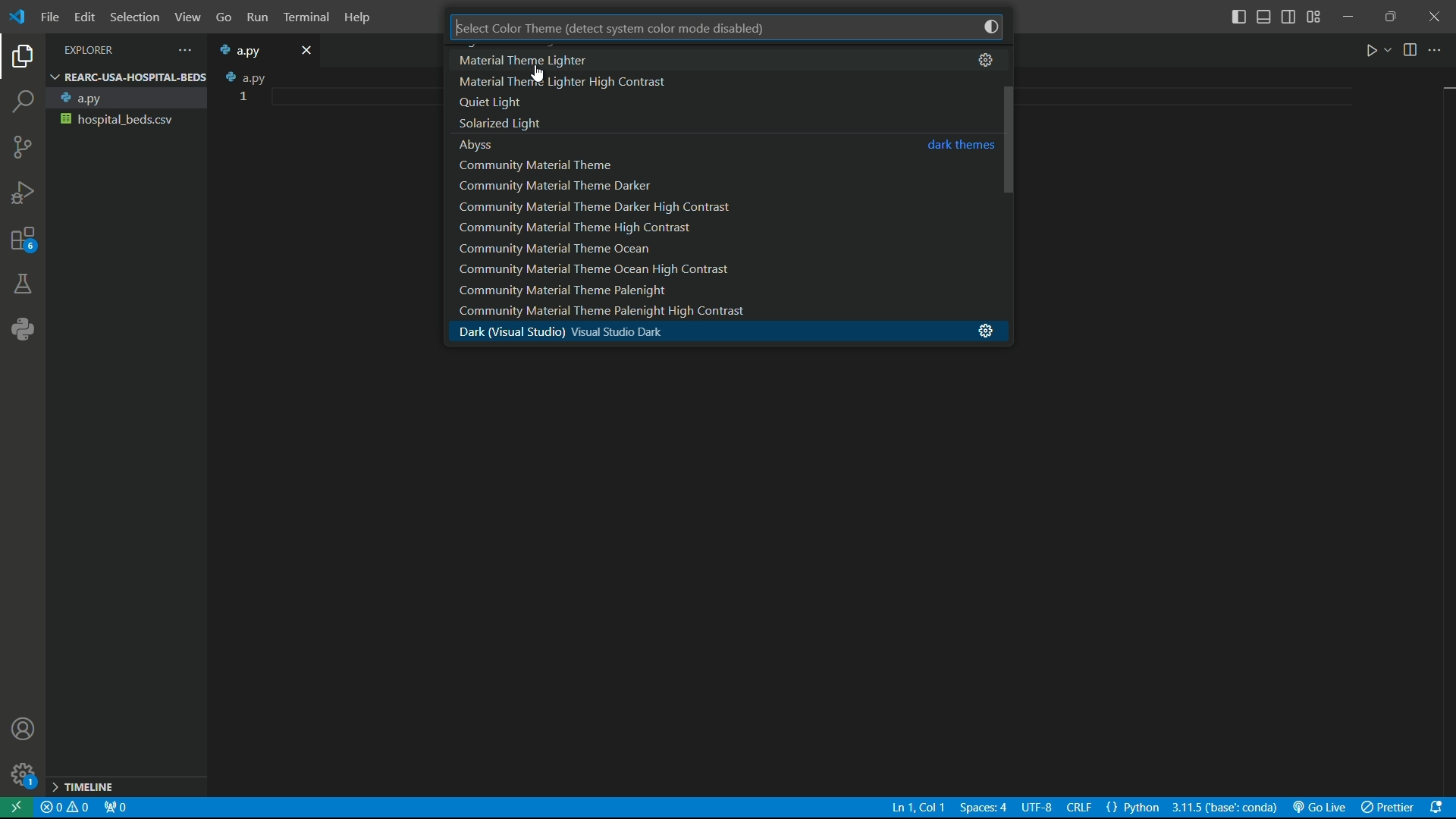  What do you see at coordinates (987, 59) in the screenshot?
I see `settings` at bounding box center [987, 59].